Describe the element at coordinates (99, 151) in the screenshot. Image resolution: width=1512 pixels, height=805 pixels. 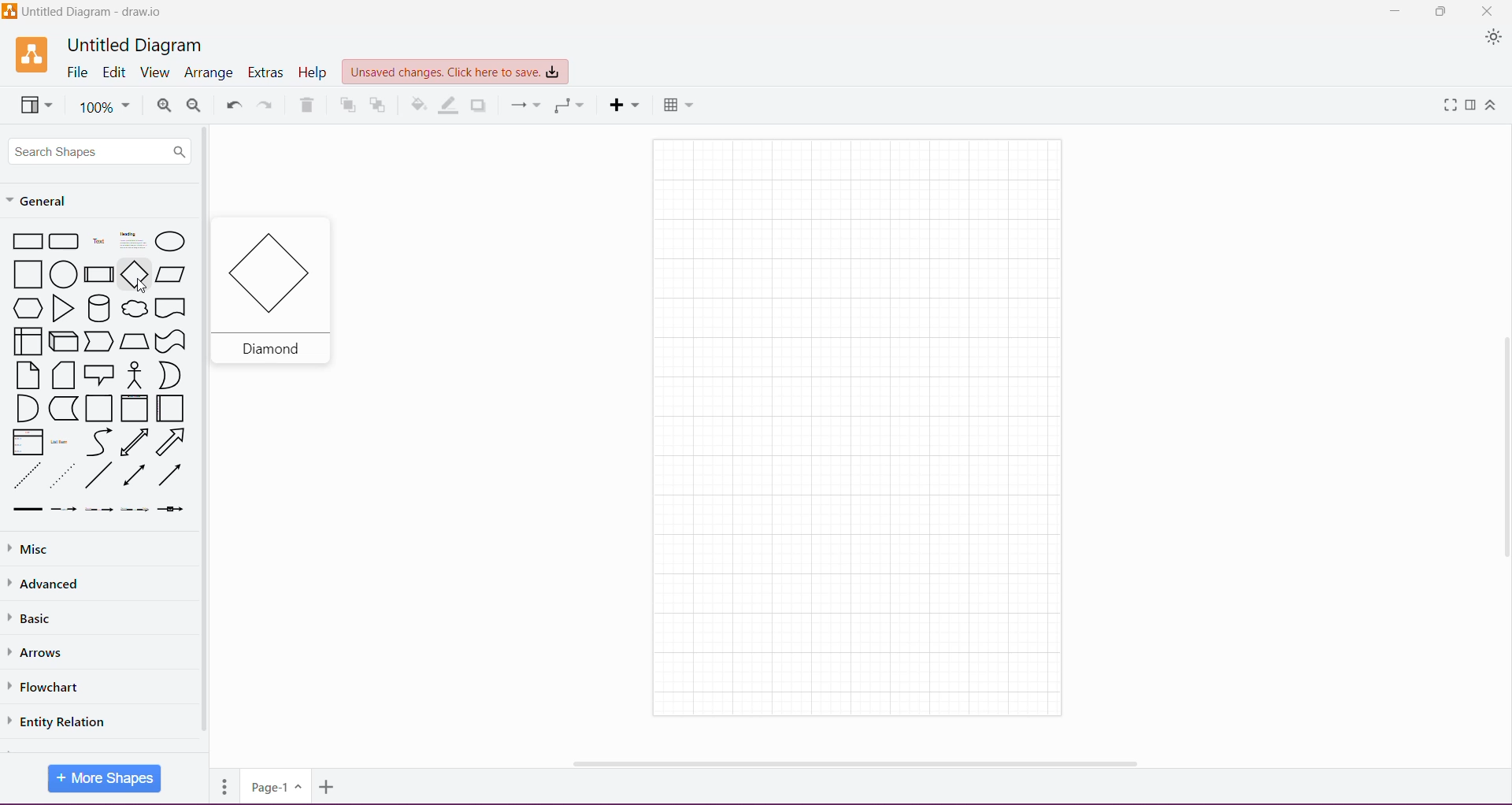
I see `Search Shapes` at that location.